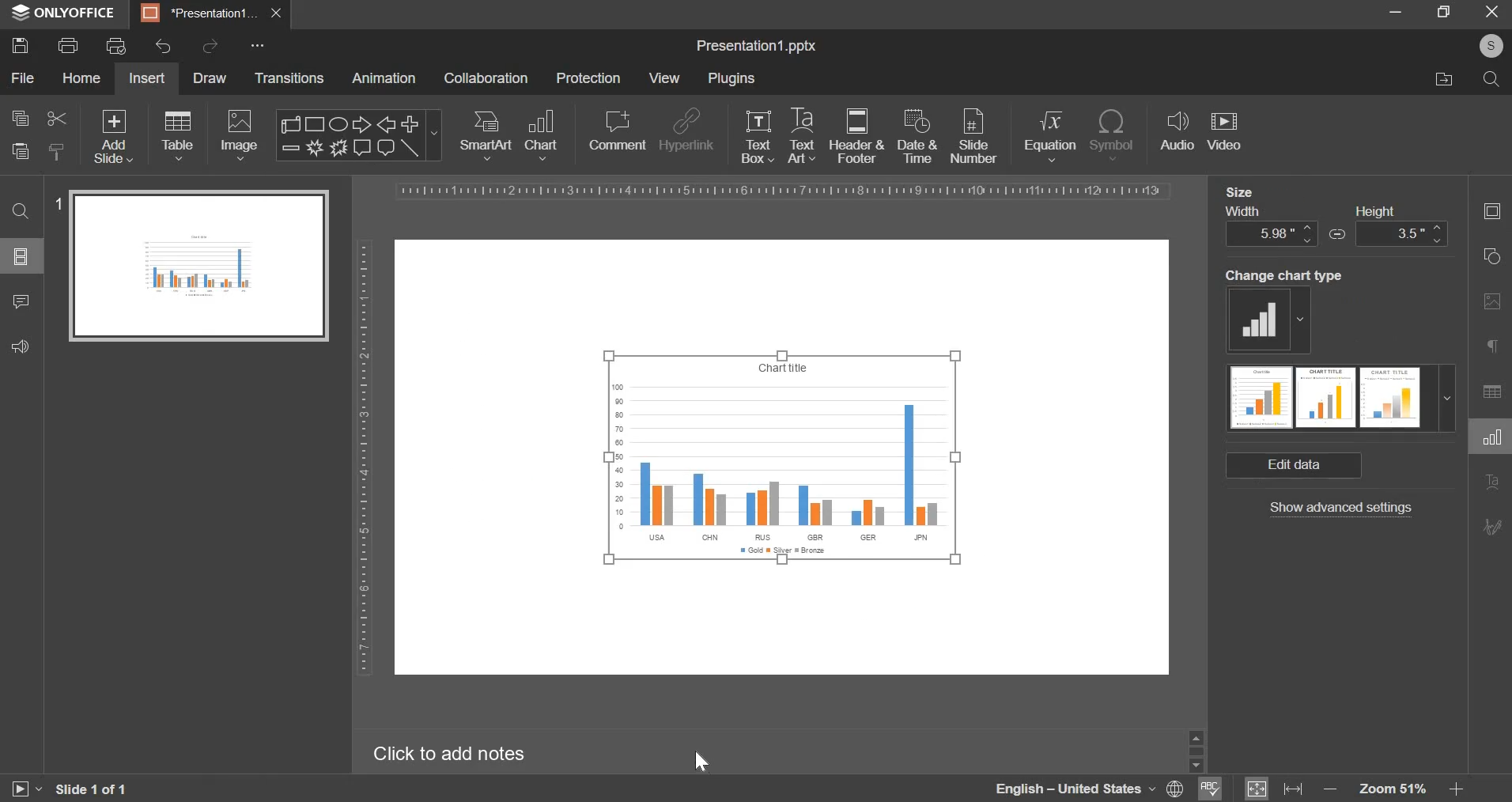  I want to click on comment, so click(617, 131).